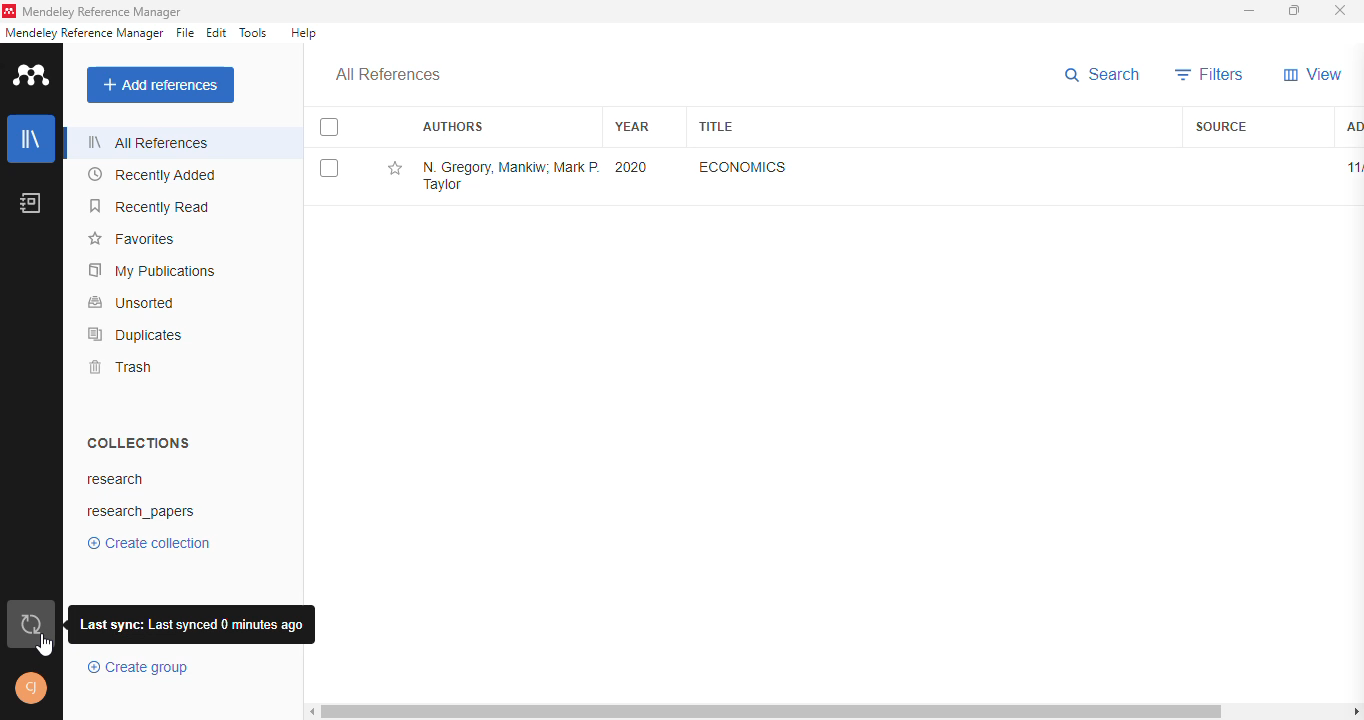 The width and height of the screenshot is (1364, 720). Describe the element at coordinates (718, 126) in the screenshot. I see `title` at that location.